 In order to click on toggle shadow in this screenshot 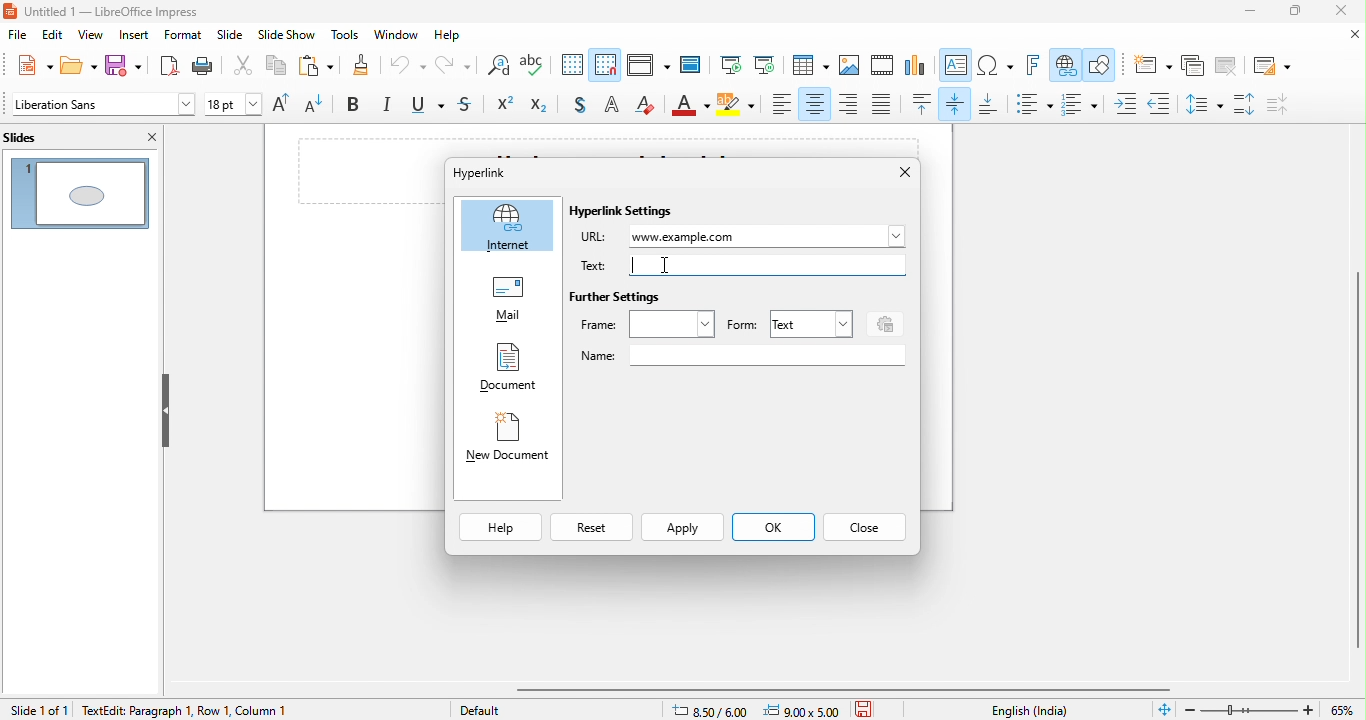, I will do `click(578, 106)`.